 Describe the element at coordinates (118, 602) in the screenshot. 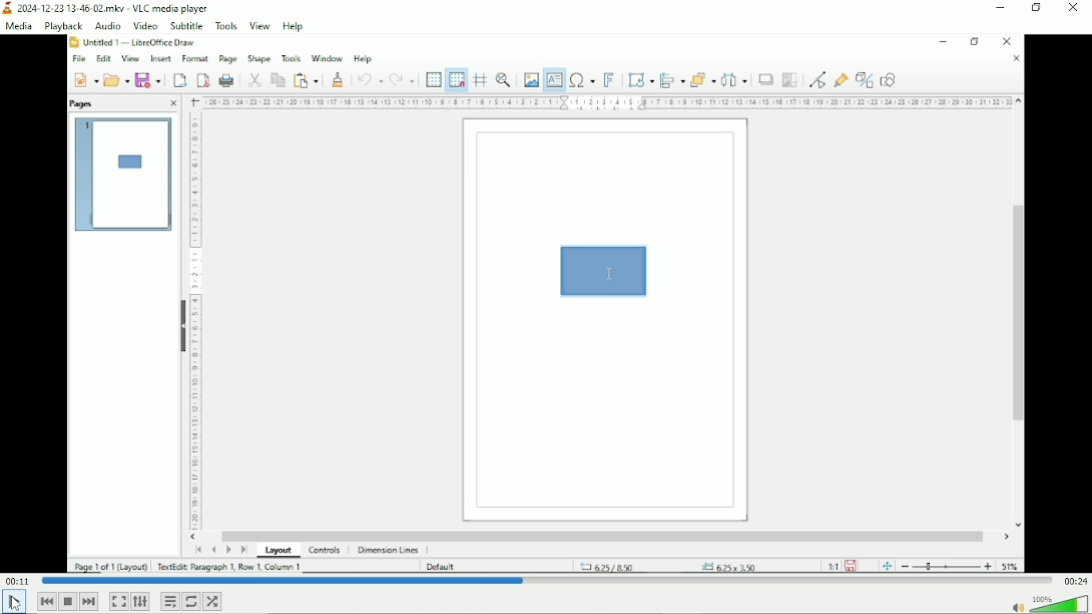

I see `Toggle video in fullscreen` at that location.